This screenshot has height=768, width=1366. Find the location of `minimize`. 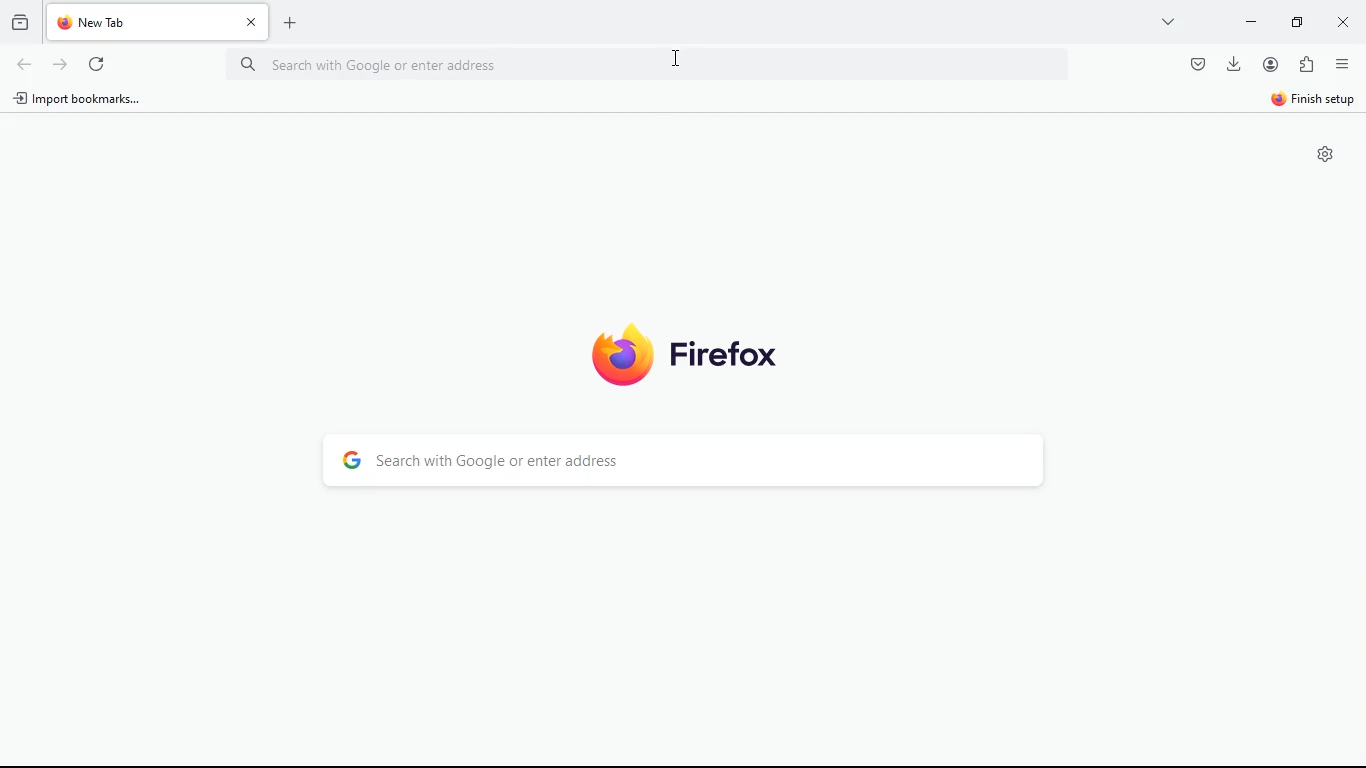

minimize is located at coordinates (1252, 23).